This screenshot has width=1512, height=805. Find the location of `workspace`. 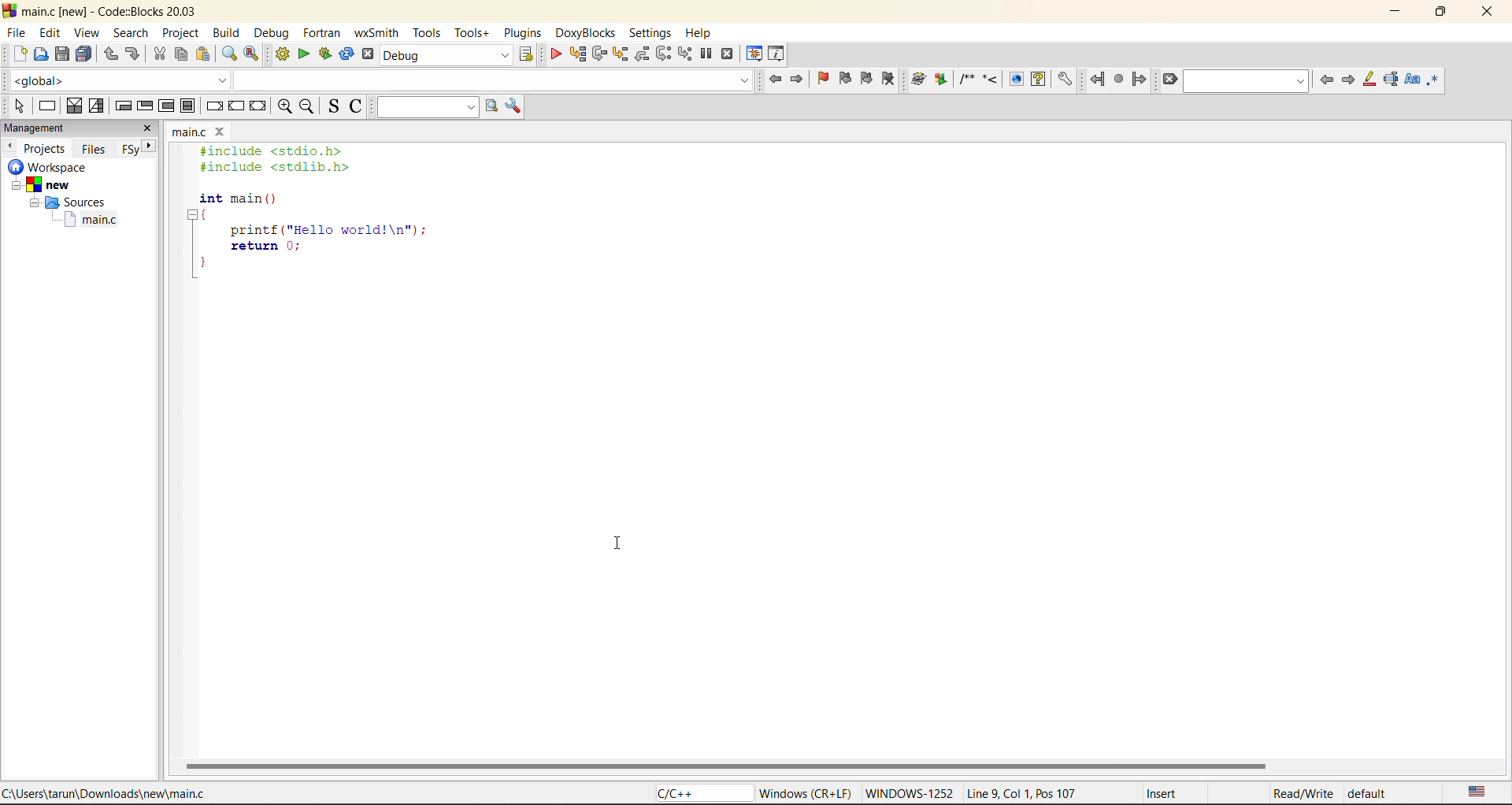

workspace is located at coordinates (66, 167).